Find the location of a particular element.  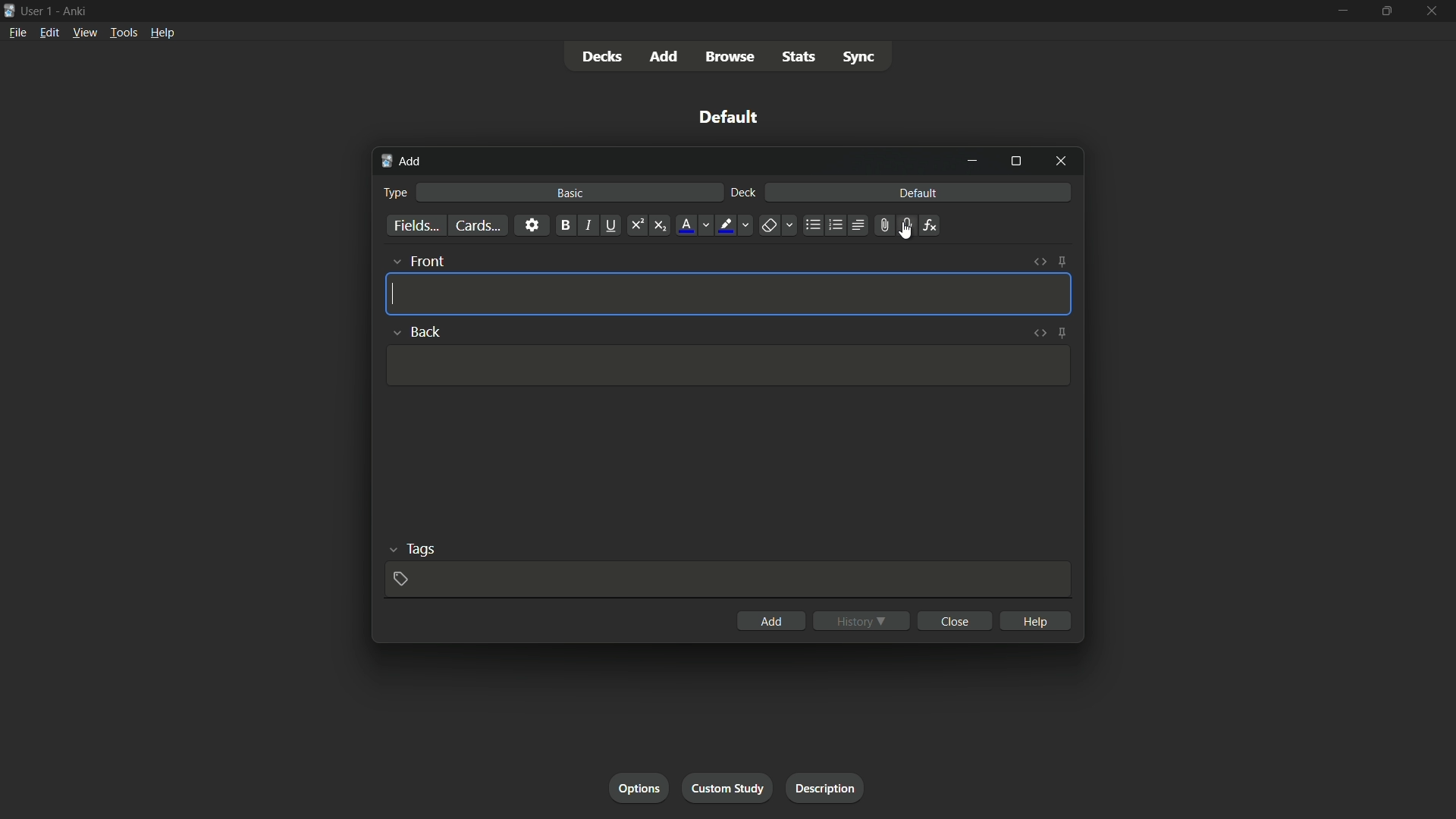

help menu is located at coordinates (162, 33).